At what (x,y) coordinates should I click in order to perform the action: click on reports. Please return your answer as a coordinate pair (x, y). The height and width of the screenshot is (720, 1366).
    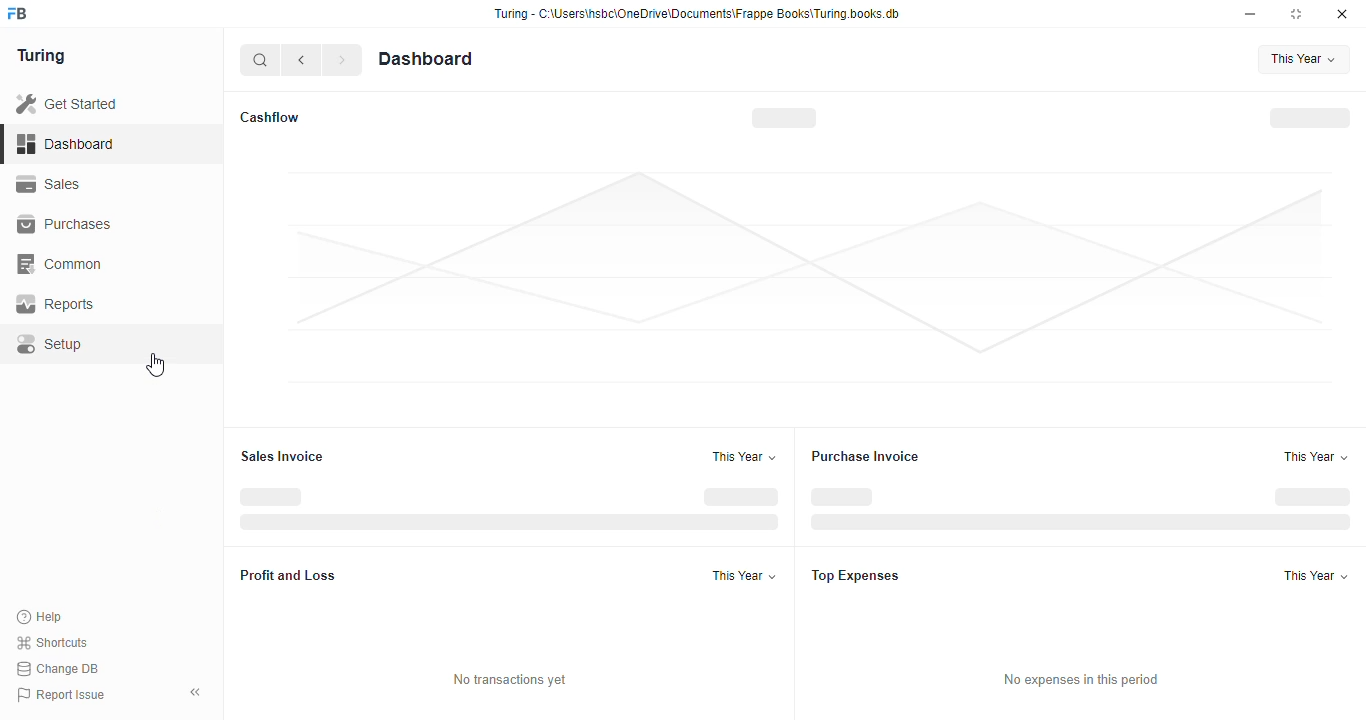
    Looking at the image, I should click on (56, 304).